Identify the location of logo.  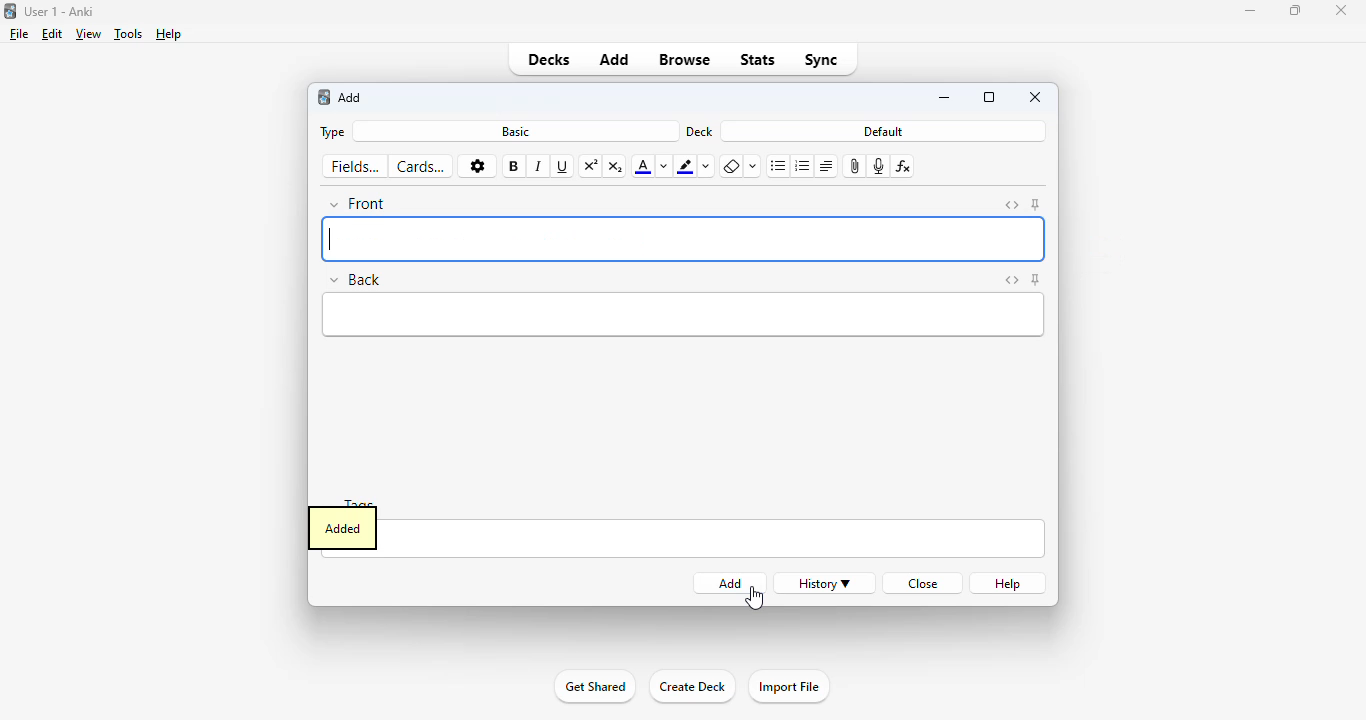
(9, 11).